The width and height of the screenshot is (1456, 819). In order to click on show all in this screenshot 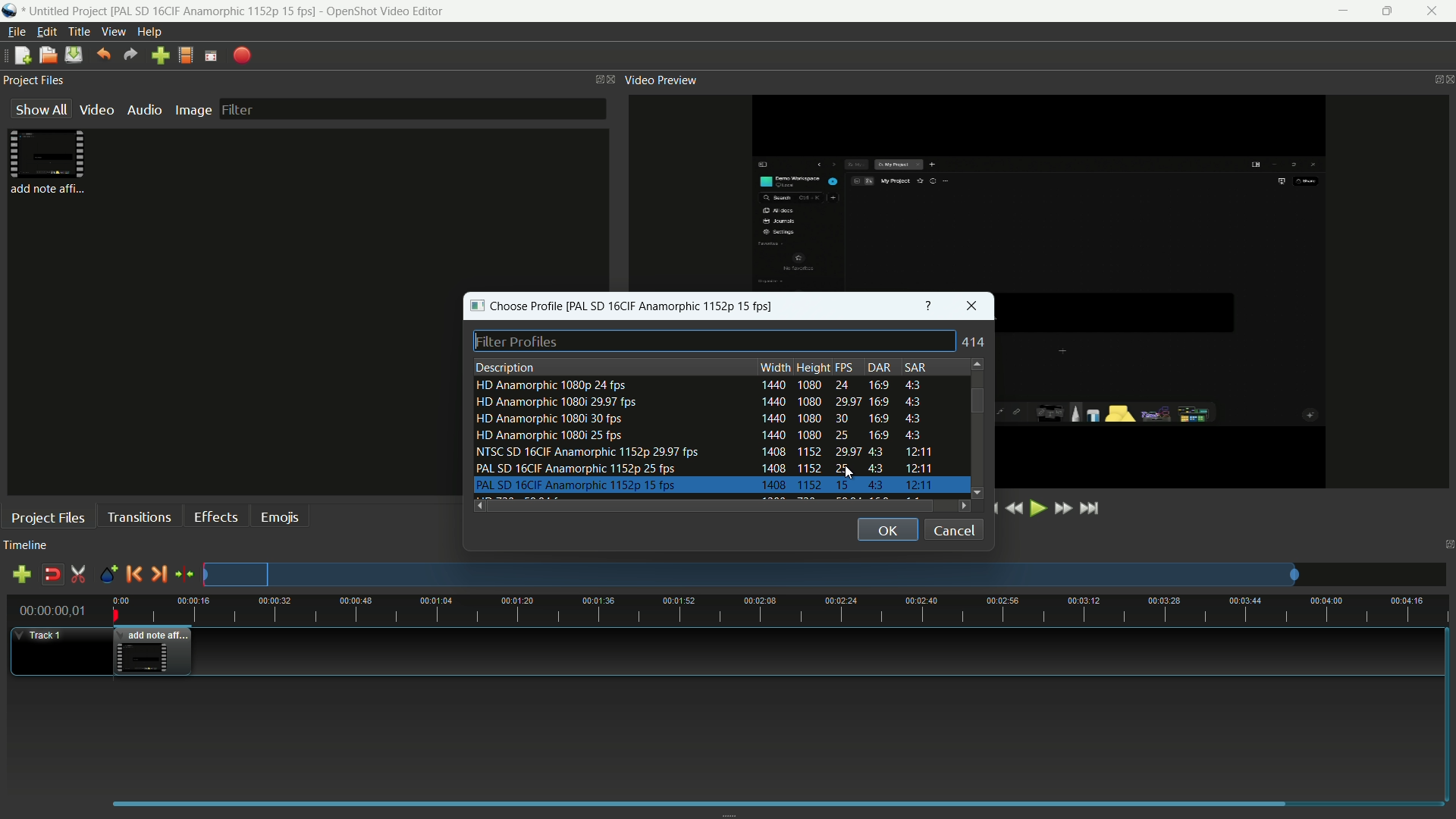, I will do `click(38, 109)`.